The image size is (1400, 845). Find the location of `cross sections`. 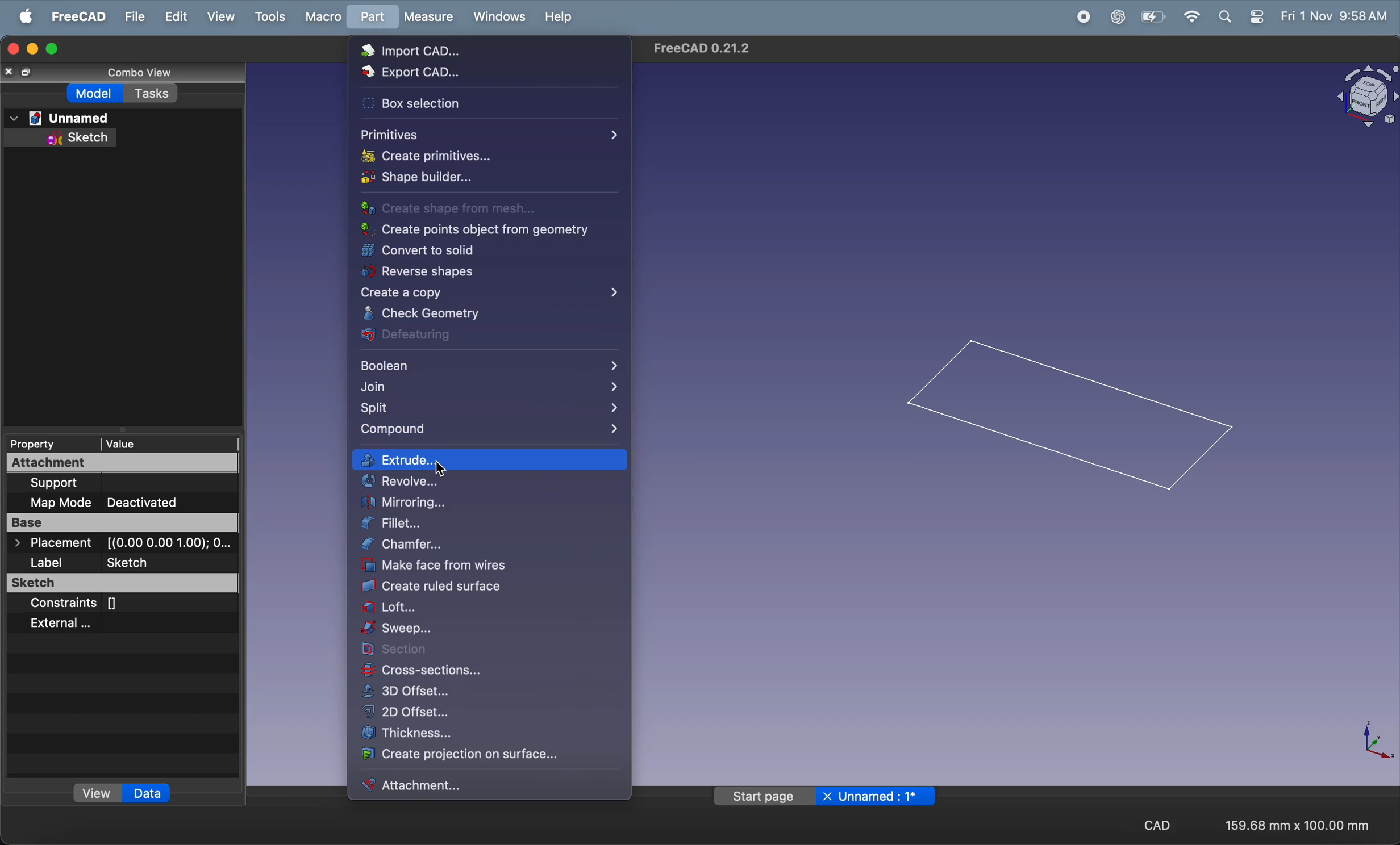

cross sections is located at coordinates (489, 671).